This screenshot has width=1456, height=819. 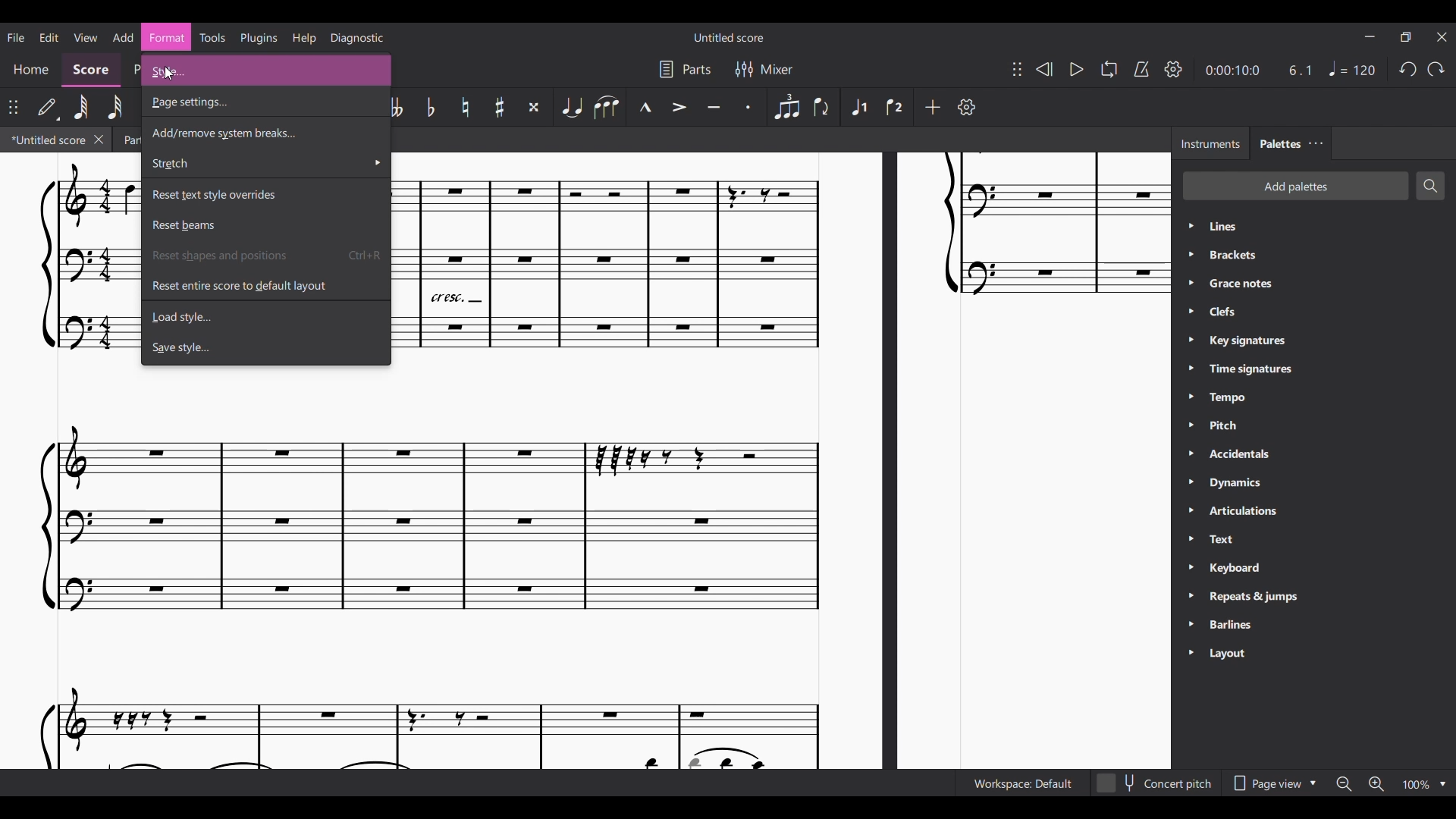 I want to click on Customize toolbar, so click(x=966, y=107).